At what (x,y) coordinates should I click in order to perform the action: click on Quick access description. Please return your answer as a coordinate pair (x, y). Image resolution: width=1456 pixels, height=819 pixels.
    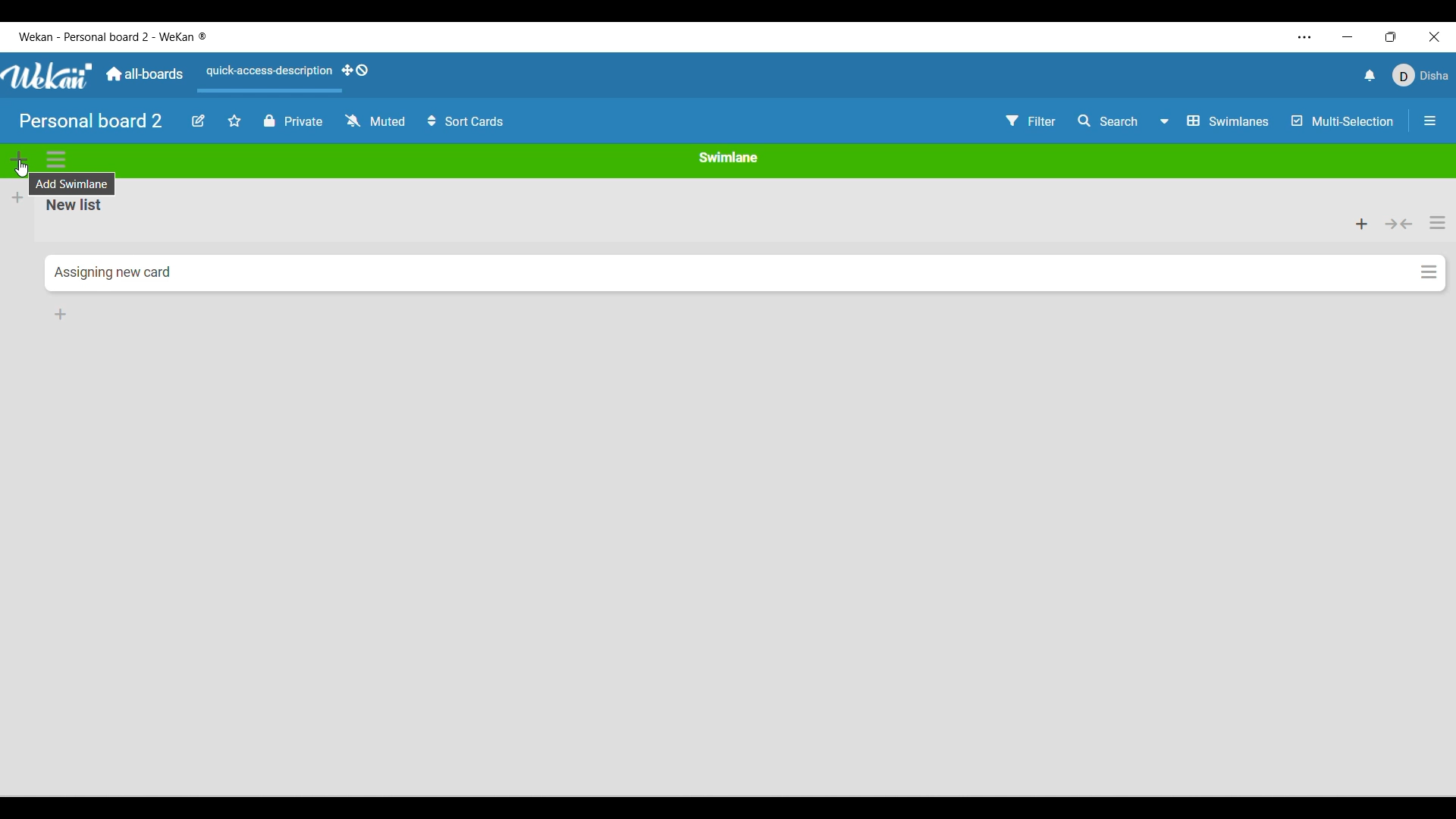
    Looking at the image, I should click on (266, 77).